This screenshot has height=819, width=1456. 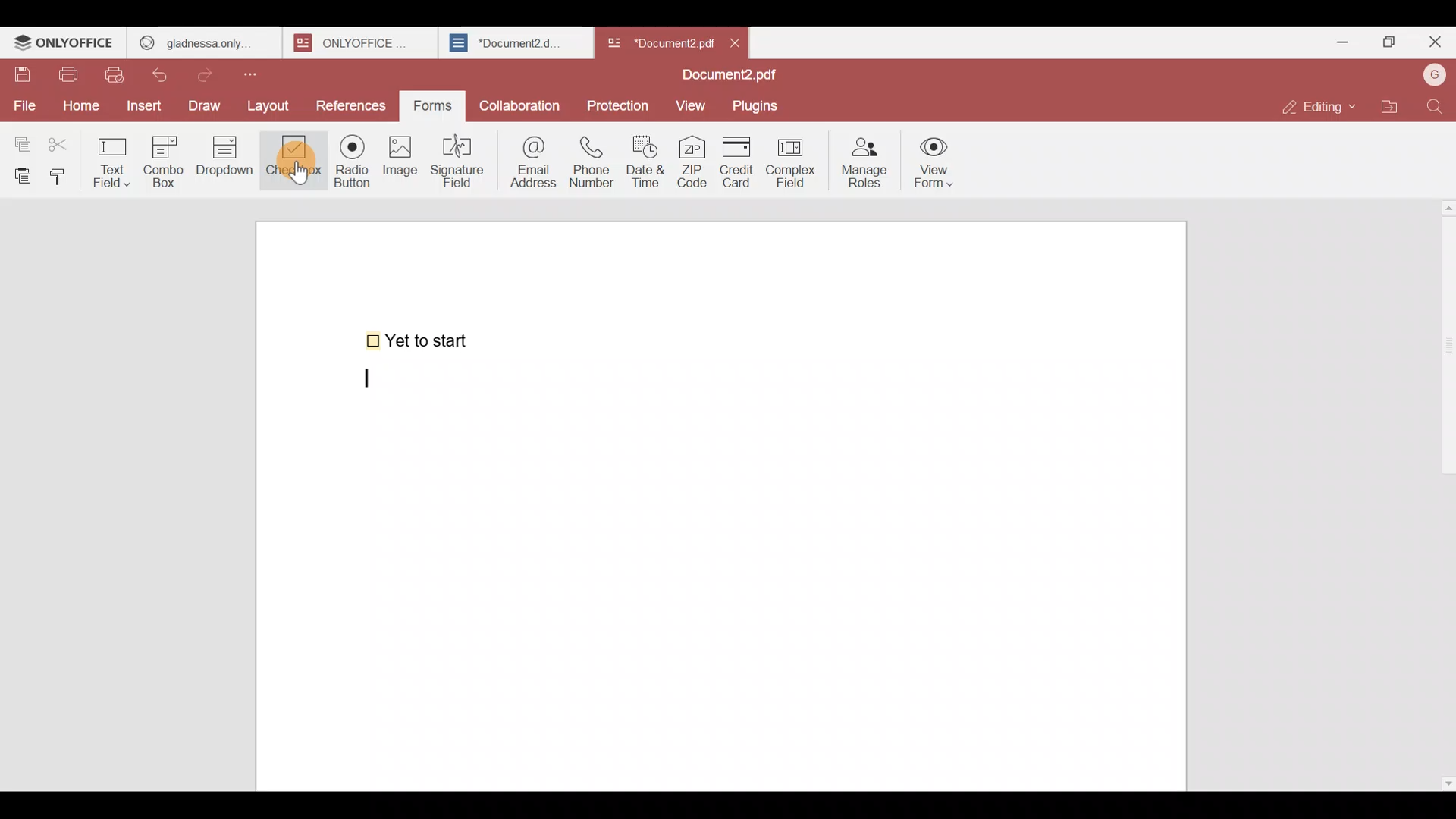 I want to click on Find, so click(x=1435, y=106).